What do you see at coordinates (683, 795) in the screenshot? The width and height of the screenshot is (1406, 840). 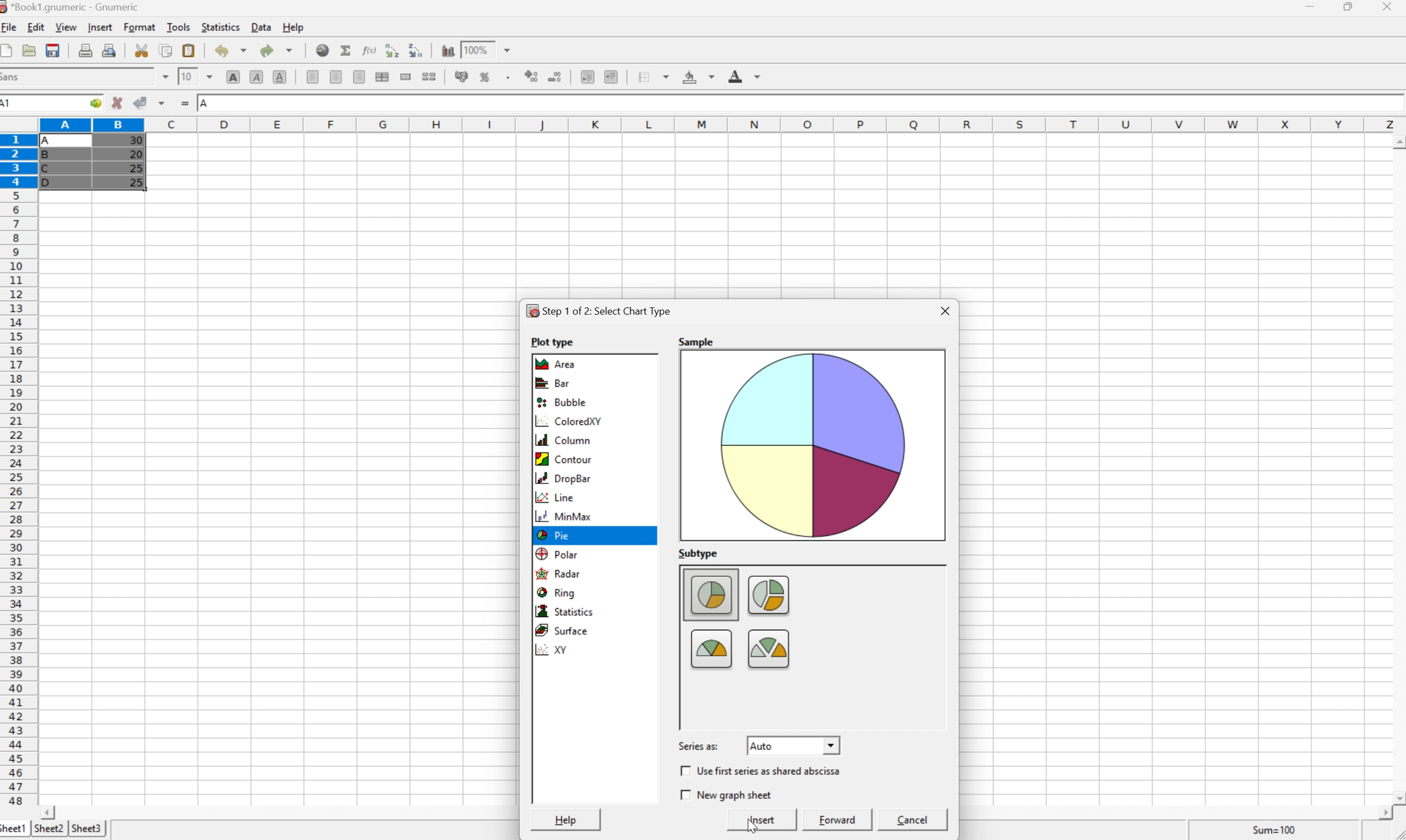 I see `Checkbox` at bounding box center [683, 795].